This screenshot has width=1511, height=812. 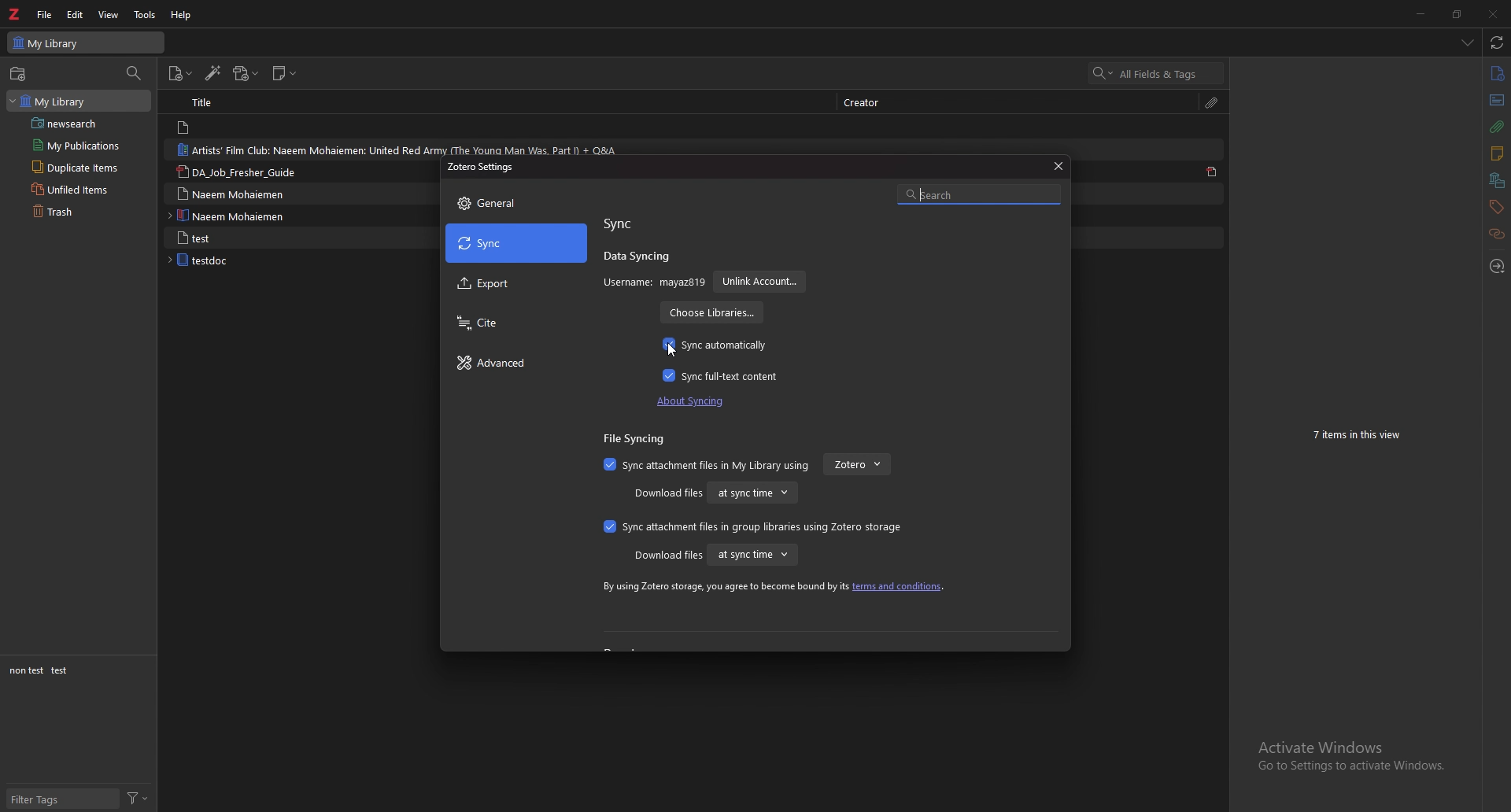 I want to click on unfiled items, so click(x=83, y=190).